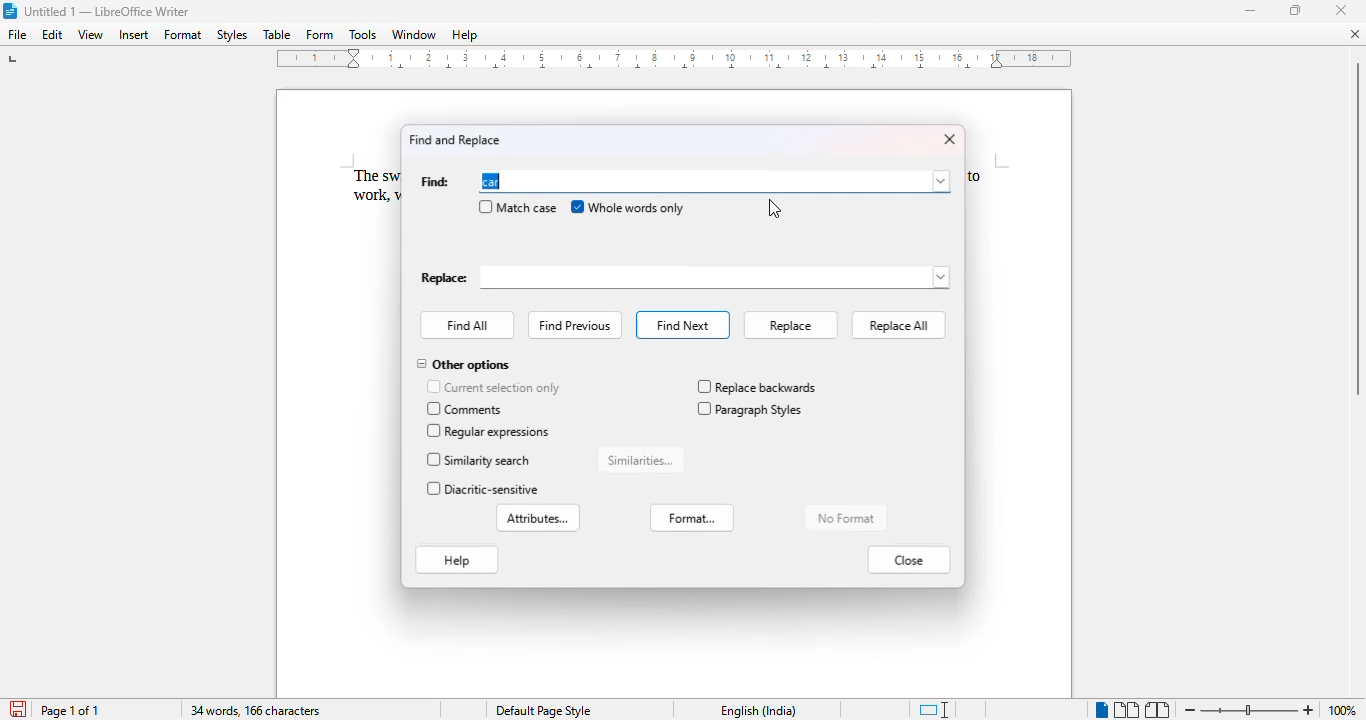 Image resolution: width=1366 pixels, height=720 pixels. Describe the element at coordinates (413, 35) in the screenshot. I see `window` at that location.